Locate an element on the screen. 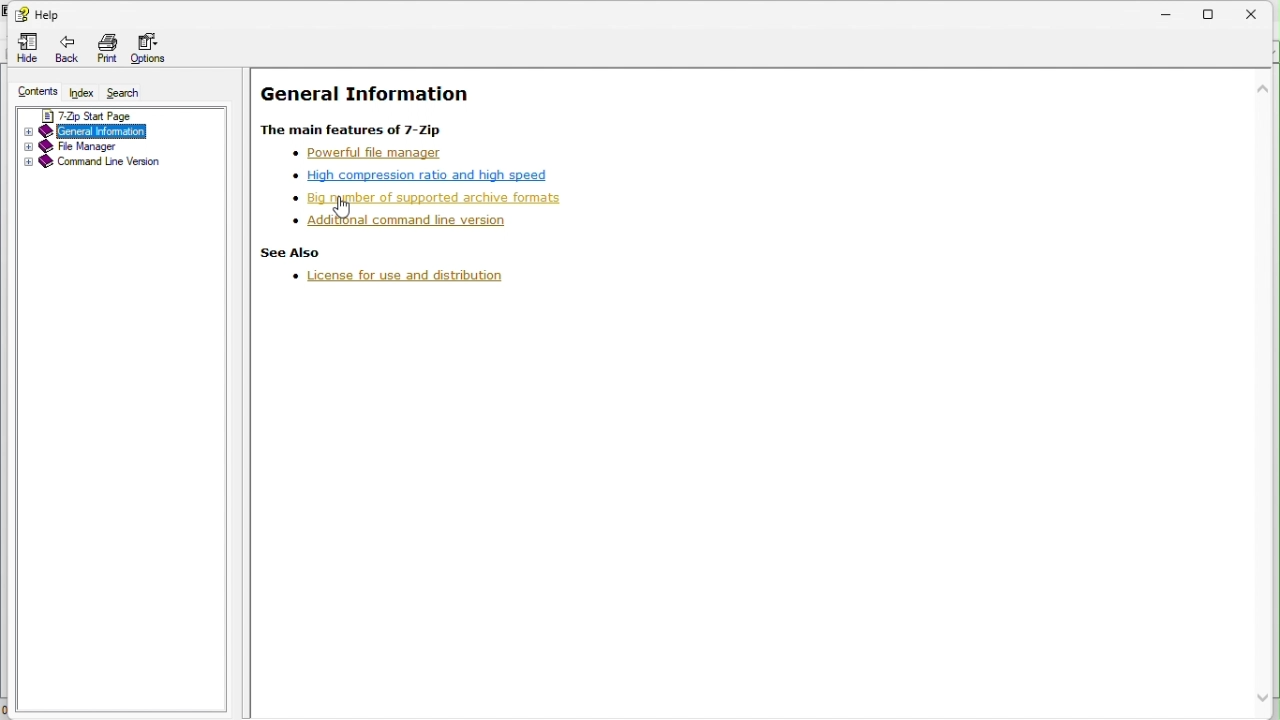 The width and height of the screenshot is (1280, 720). High compression ratio is located at coordinates (406, 173).